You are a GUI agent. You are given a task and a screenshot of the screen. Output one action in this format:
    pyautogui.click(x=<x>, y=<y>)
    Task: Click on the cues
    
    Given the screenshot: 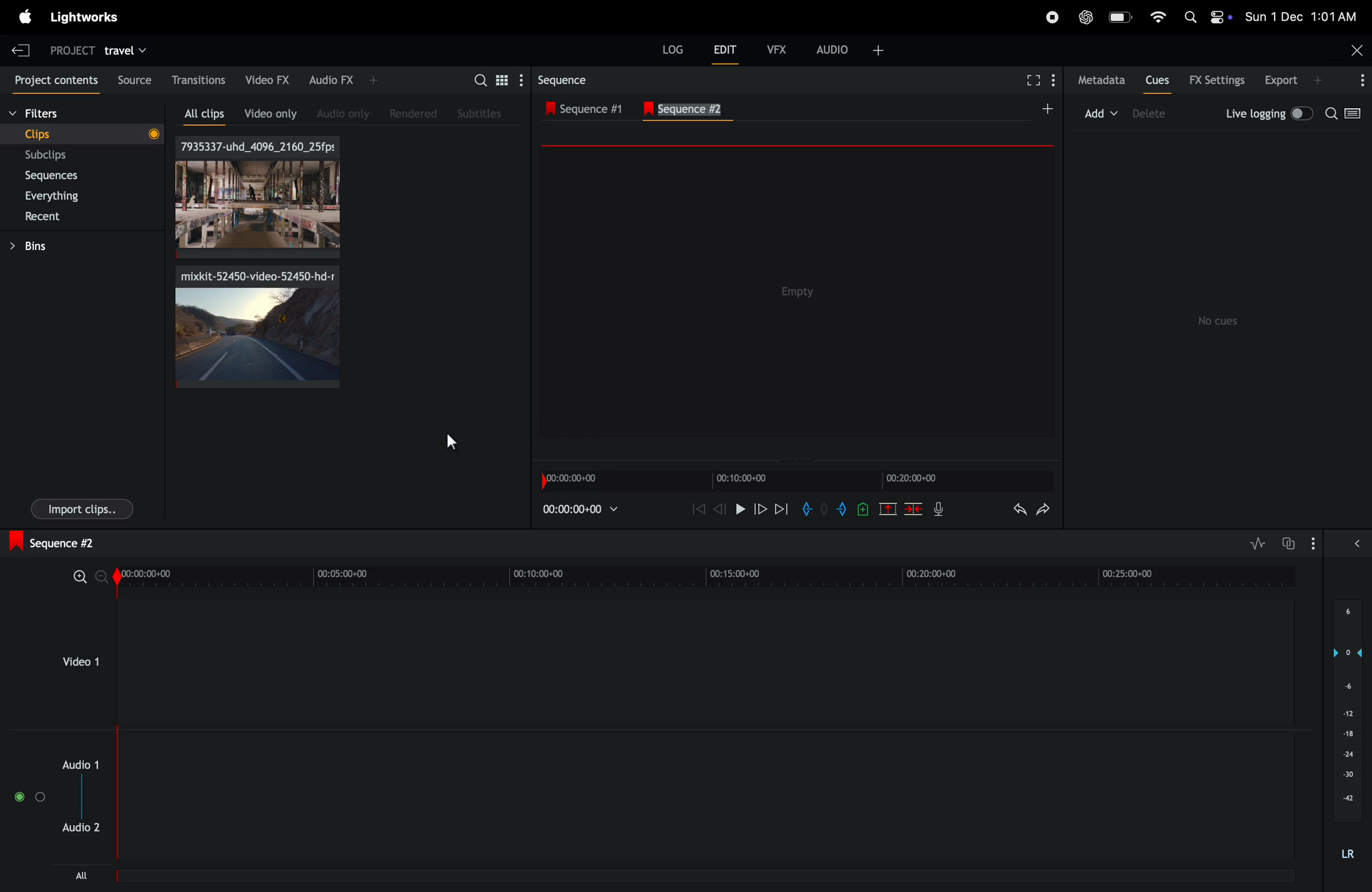 What is the action you would take?
    pyautogui.click(x=1158, y=80)
    